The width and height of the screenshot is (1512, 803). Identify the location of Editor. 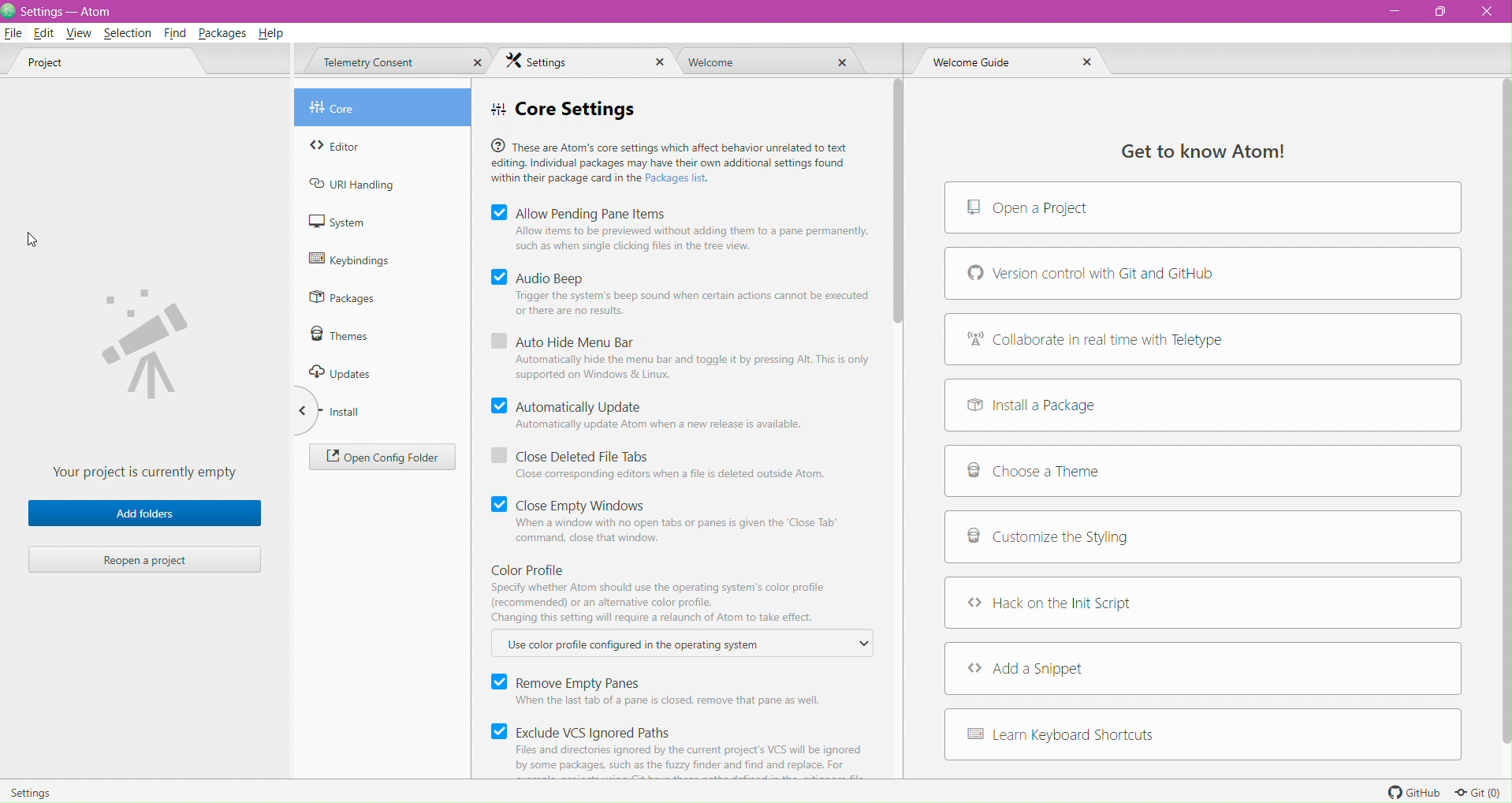
(367, 144).